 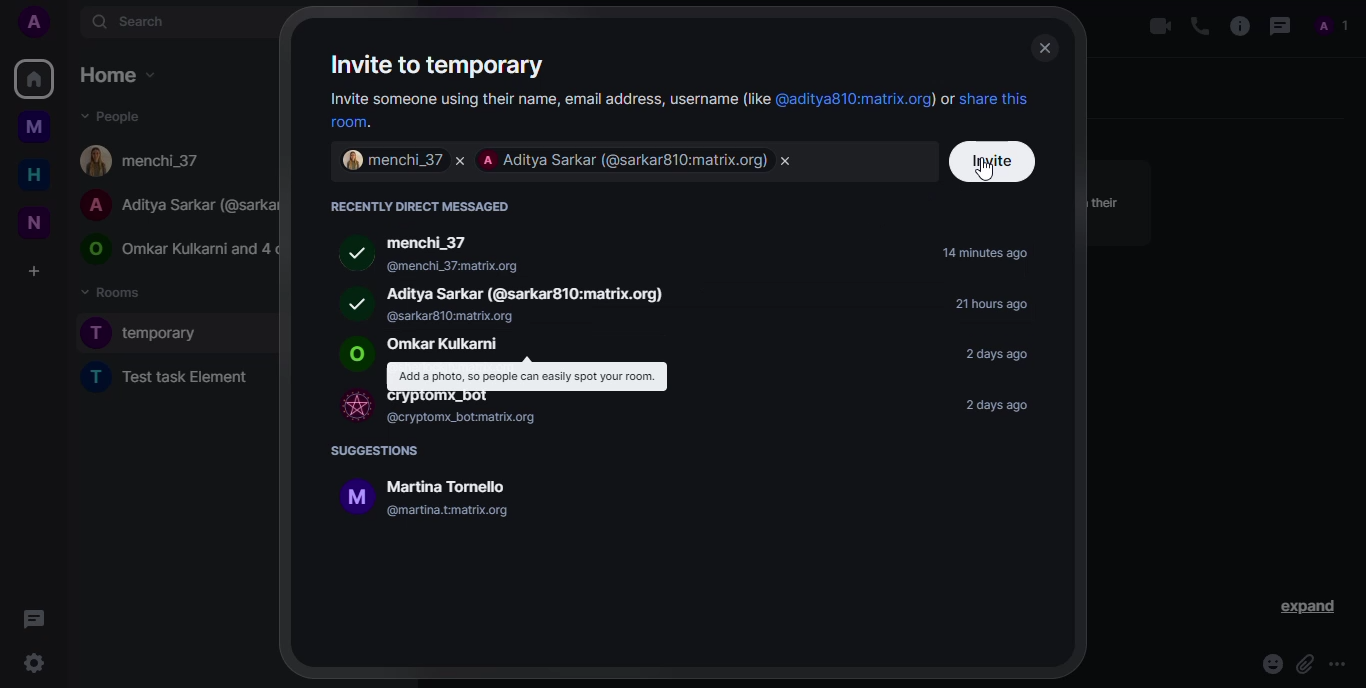 What do you see at coordinates (683, 109) in the screenshot?
I see `Invite someone using their name, email address, username (like @aditya810:matrix.org) or share this room.` at bounding box center [683, 109].